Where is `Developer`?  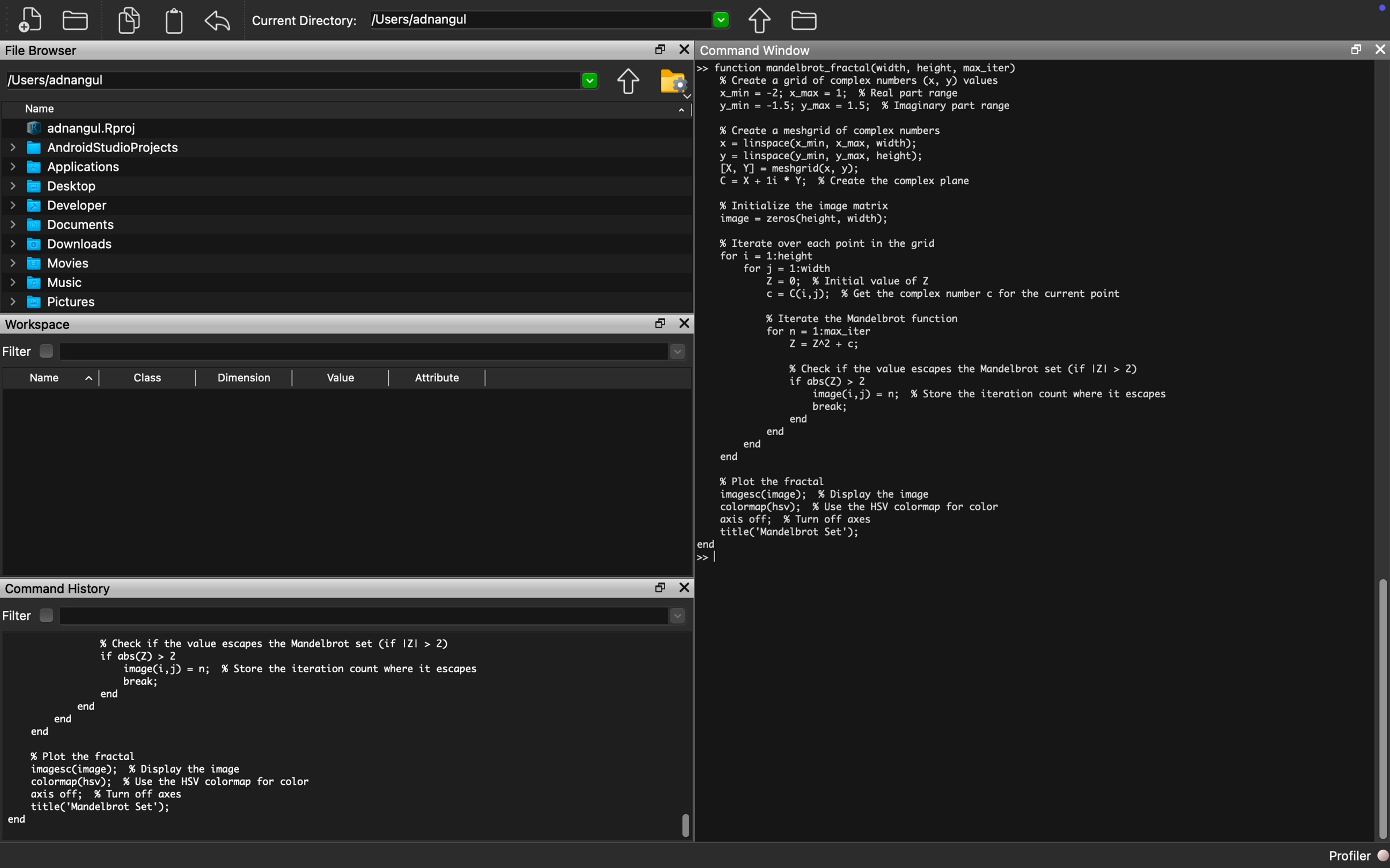
Developer is located at coordinates (61, 205).